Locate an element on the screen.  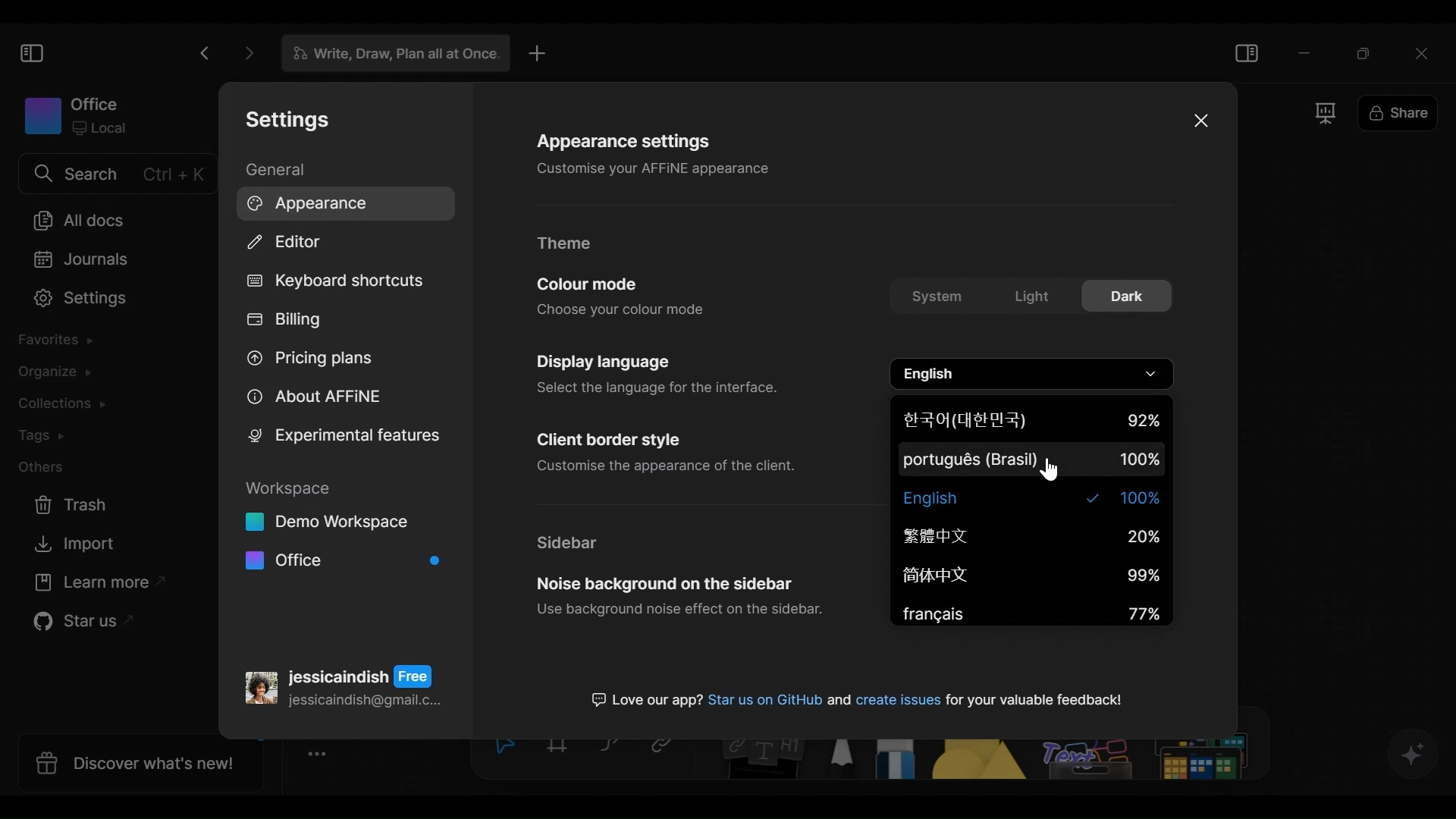
Close is located at coordinates (1425, 51).